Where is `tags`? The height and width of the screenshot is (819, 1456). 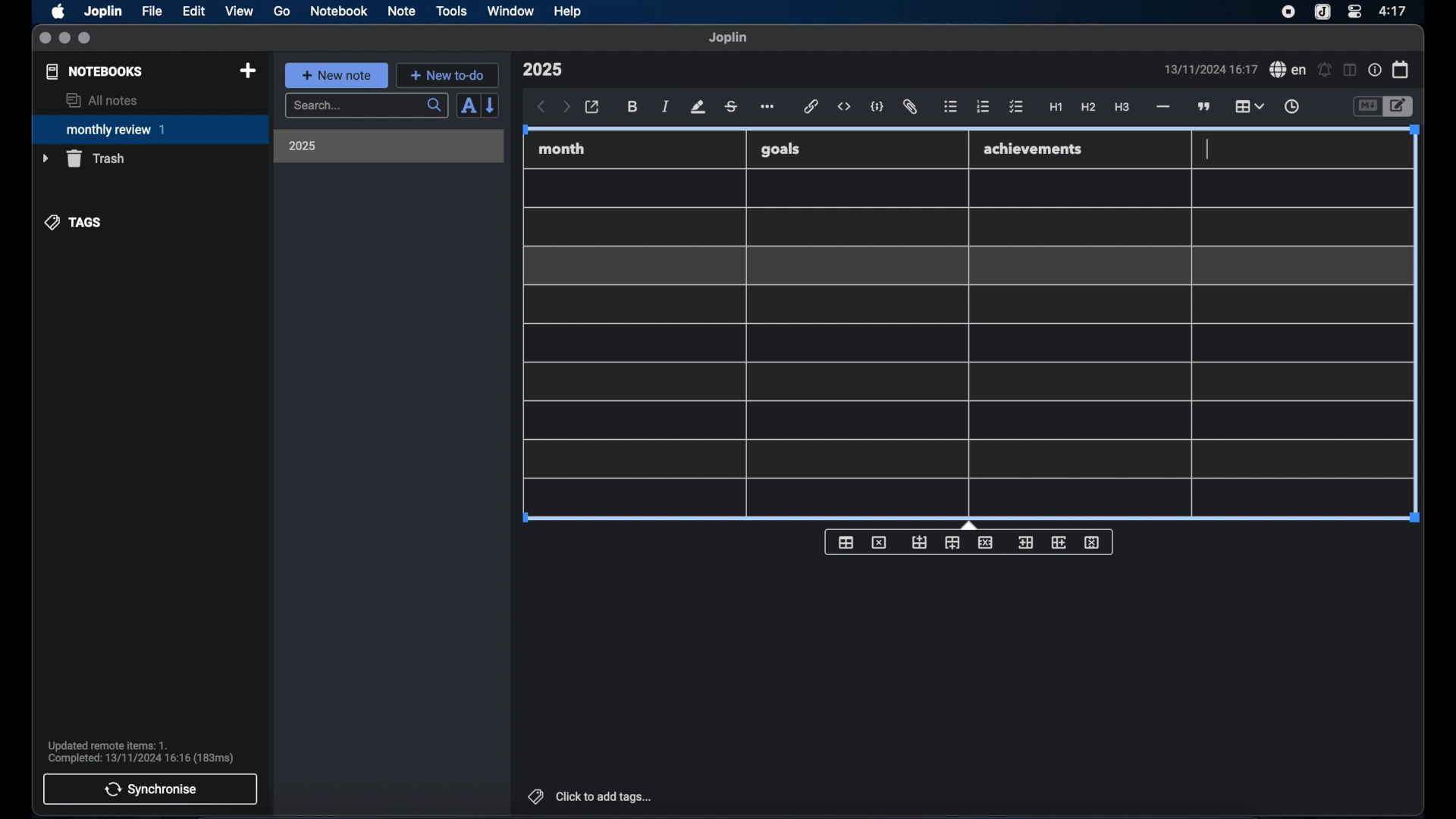 tags is located at coordinates (74, 222).